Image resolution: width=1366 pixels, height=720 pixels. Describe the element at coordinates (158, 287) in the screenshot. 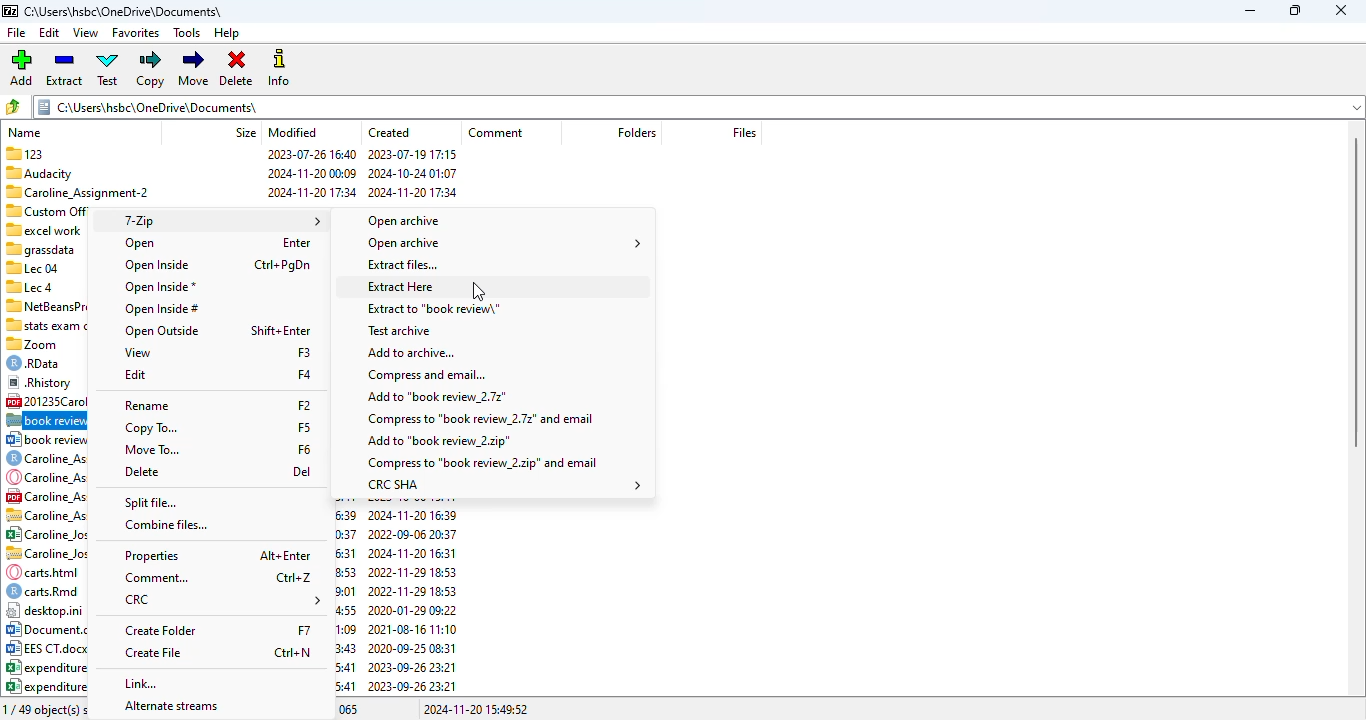

I see `open inside*` at that location.